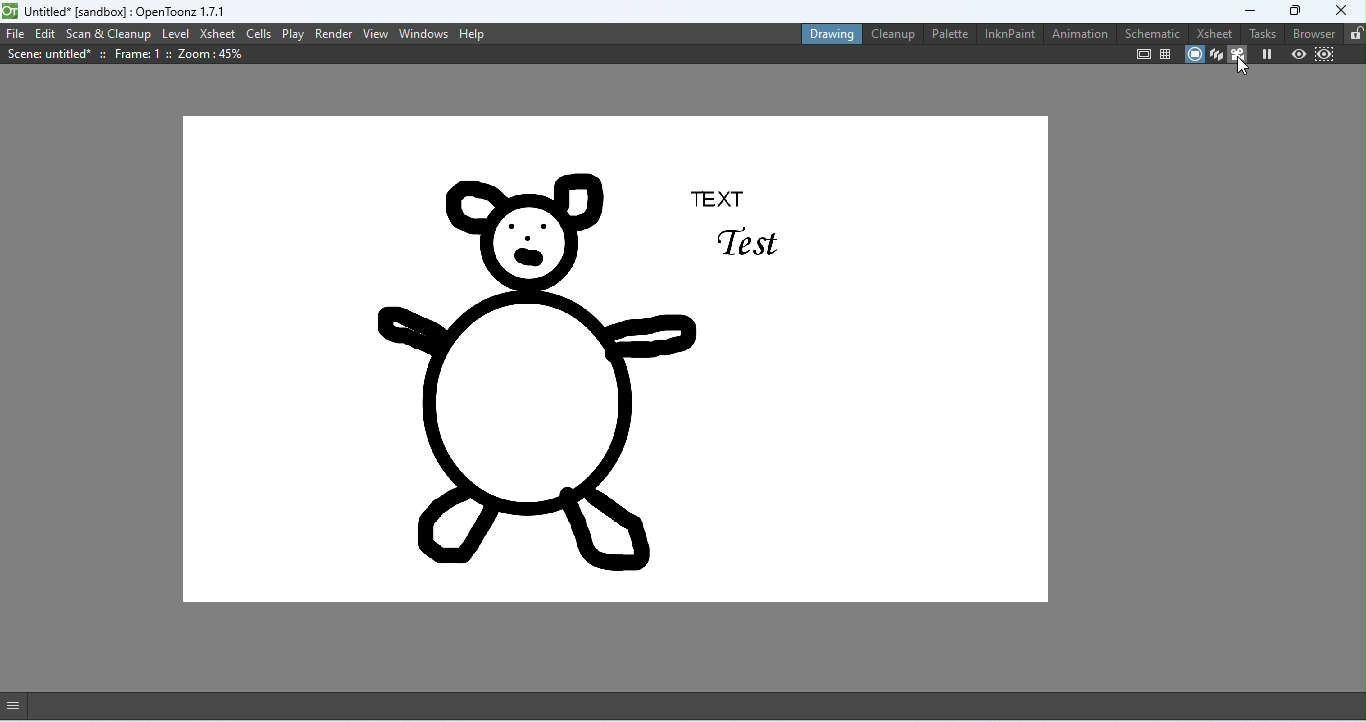 The width and height of the screenshot is (1366, 722). What do you see at coordinates (376, 33) in the screenshot?
I see `view` at bounding box center [376, 33].